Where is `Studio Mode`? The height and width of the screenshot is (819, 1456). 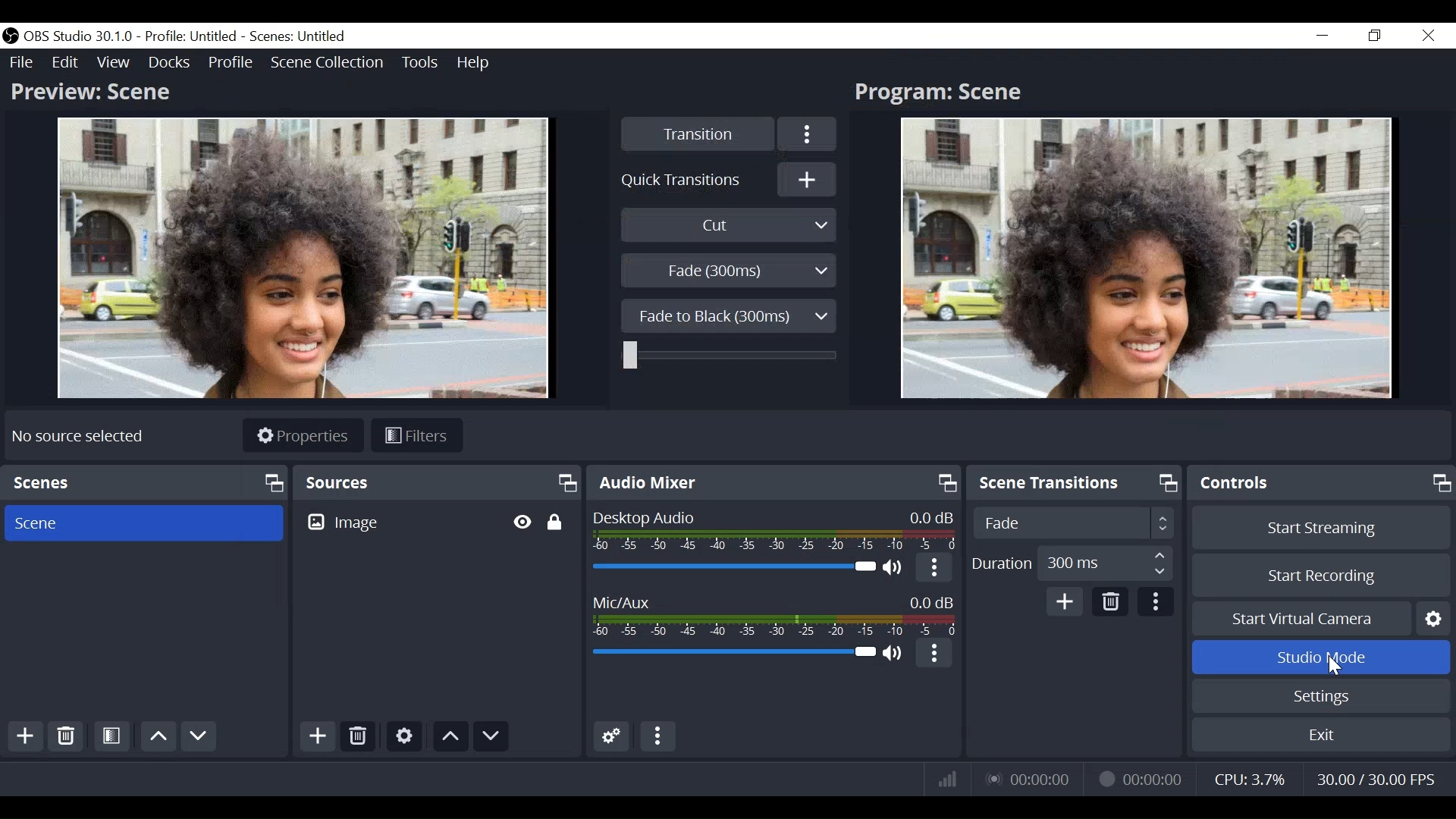 Studio Mode is located at coordinates (1319, 657).